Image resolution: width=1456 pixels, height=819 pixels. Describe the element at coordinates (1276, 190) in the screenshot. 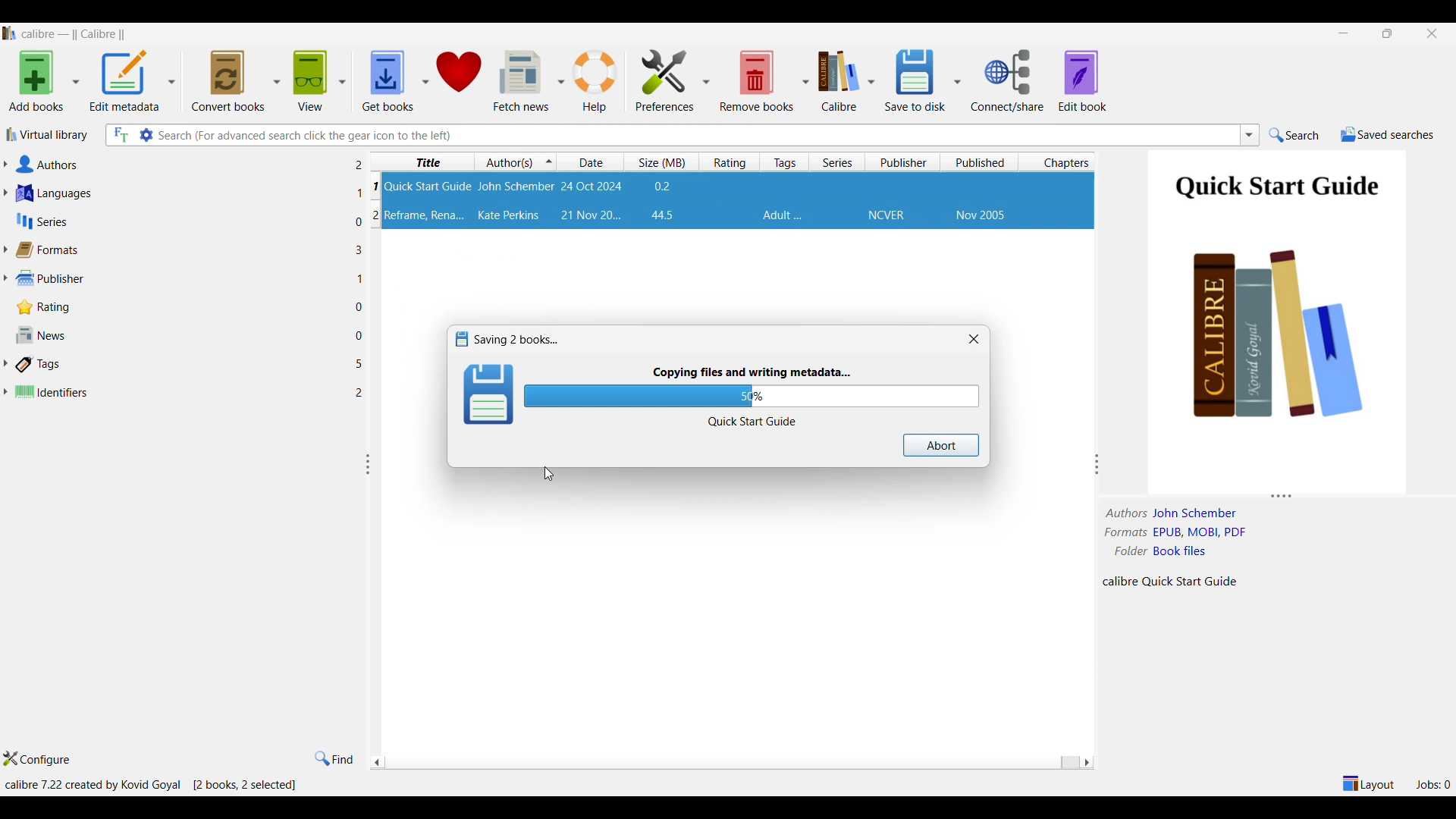

I see `Quick Start Guide` at that location.